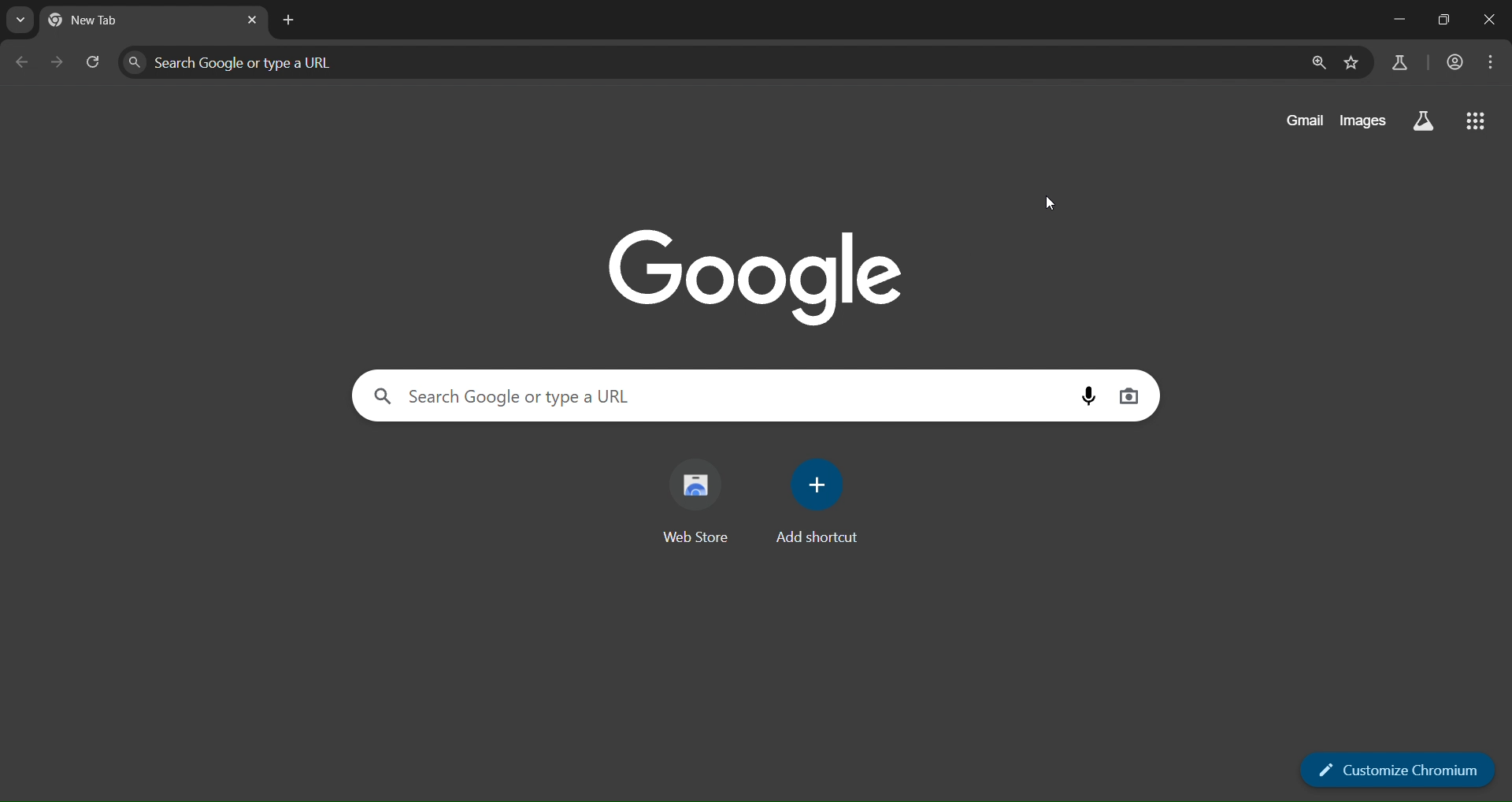 The image size is (1512, 802). What do you see at coordinates (20, 20) in the screenshot?
I see `search tabs` at bounding box center [20, 20].